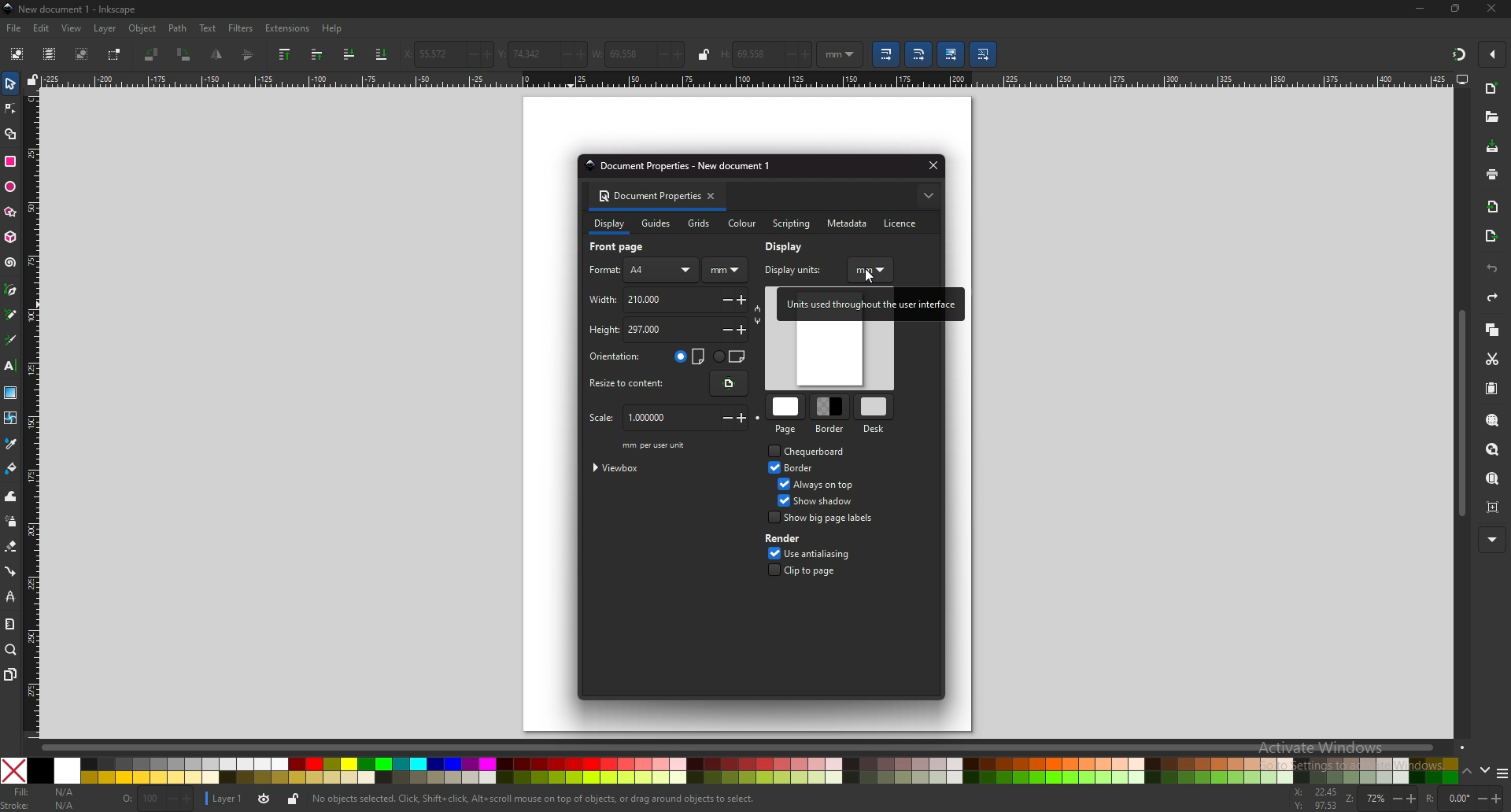 The width and height of the screenshot is (1511, 812). What do you see at coordinates (656, 445) in the screenshot?
I see `mm per user unit` at bounding box center [656, 445].